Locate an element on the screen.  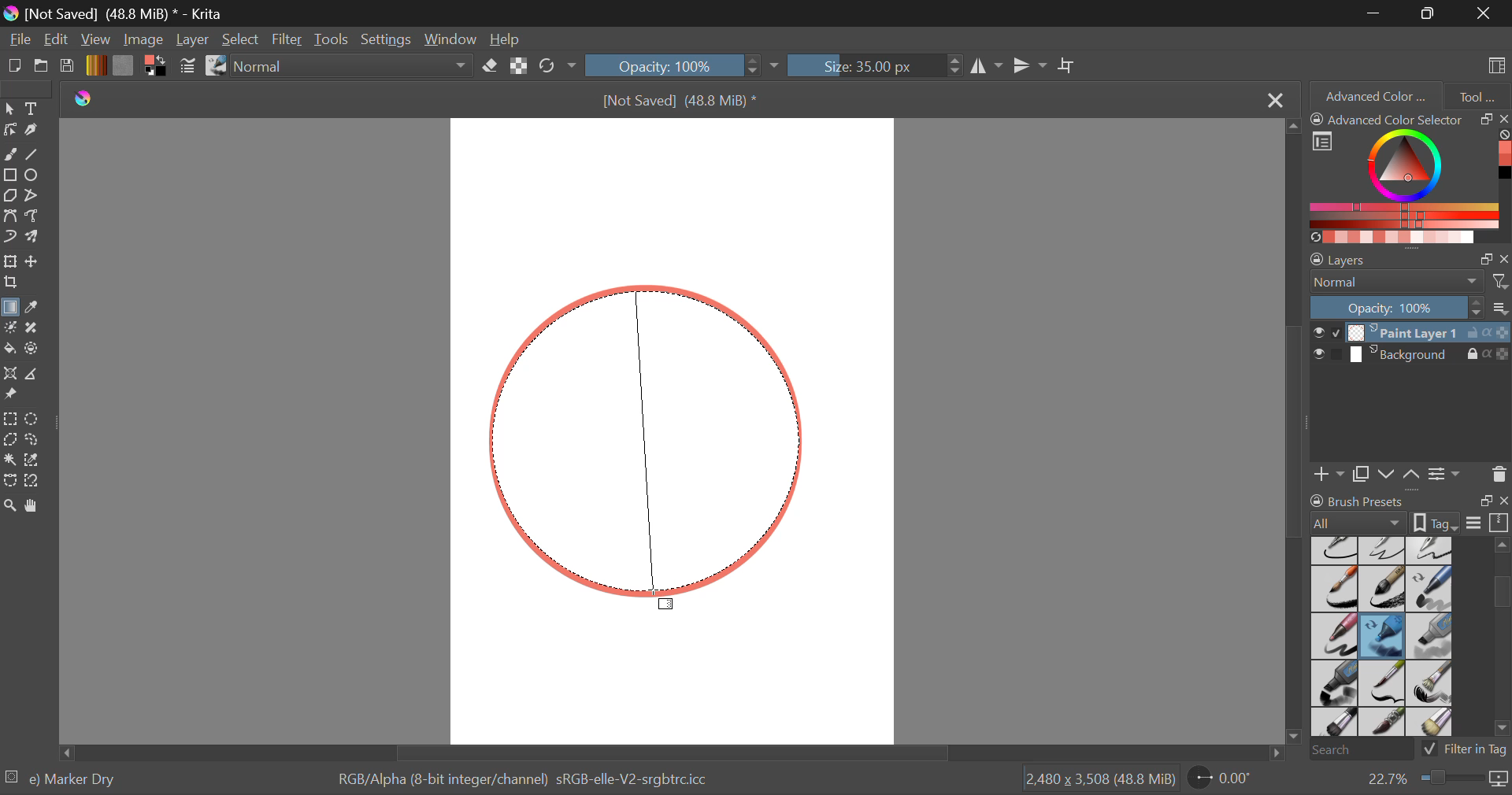
Bristles-3 Large Smooth is located at coordinates (1333, 723).